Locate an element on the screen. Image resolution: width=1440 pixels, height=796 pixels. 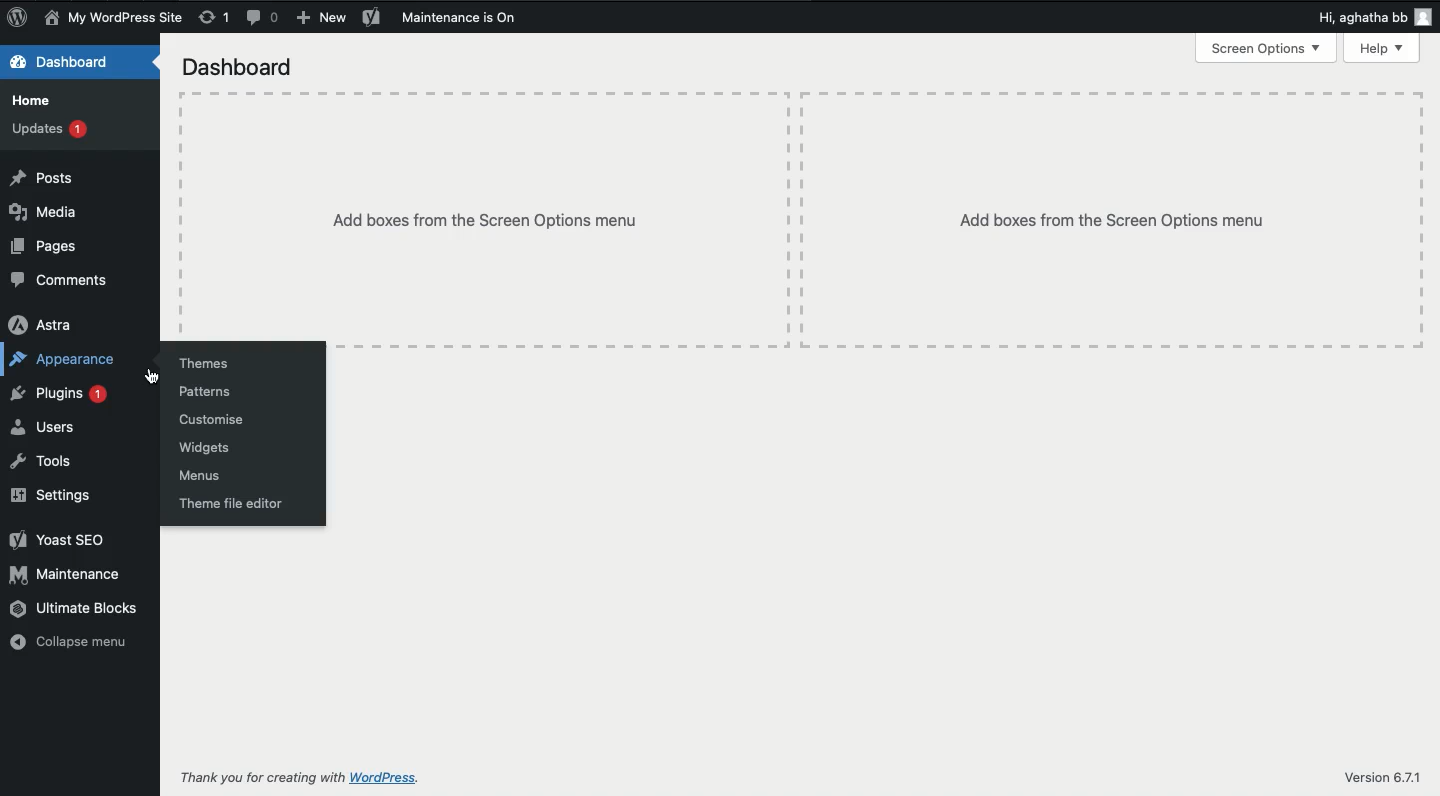
Yoast is located at coordinates (374, 17).